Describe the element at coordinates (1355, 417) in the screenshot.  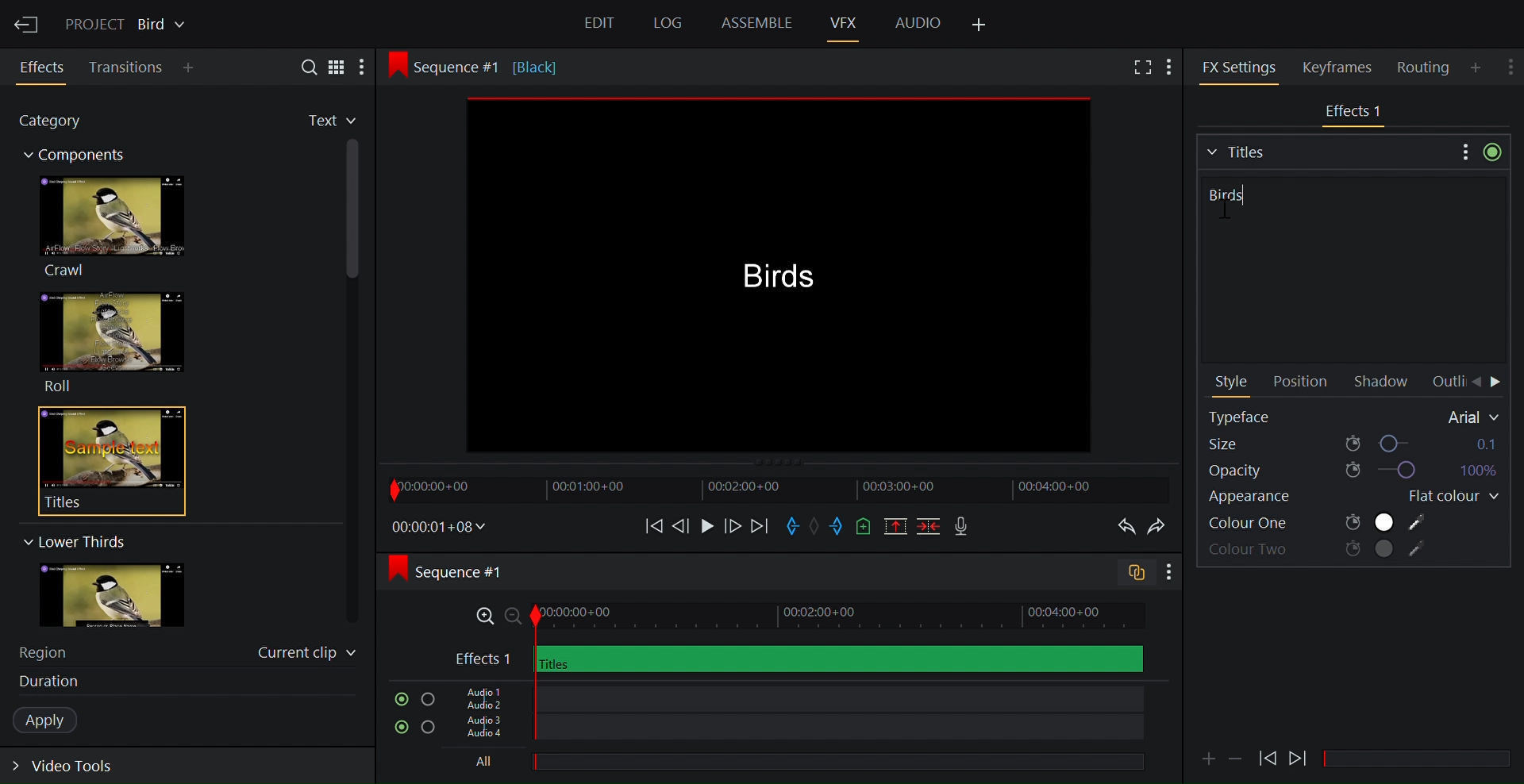
I see `Typeface` at that location.